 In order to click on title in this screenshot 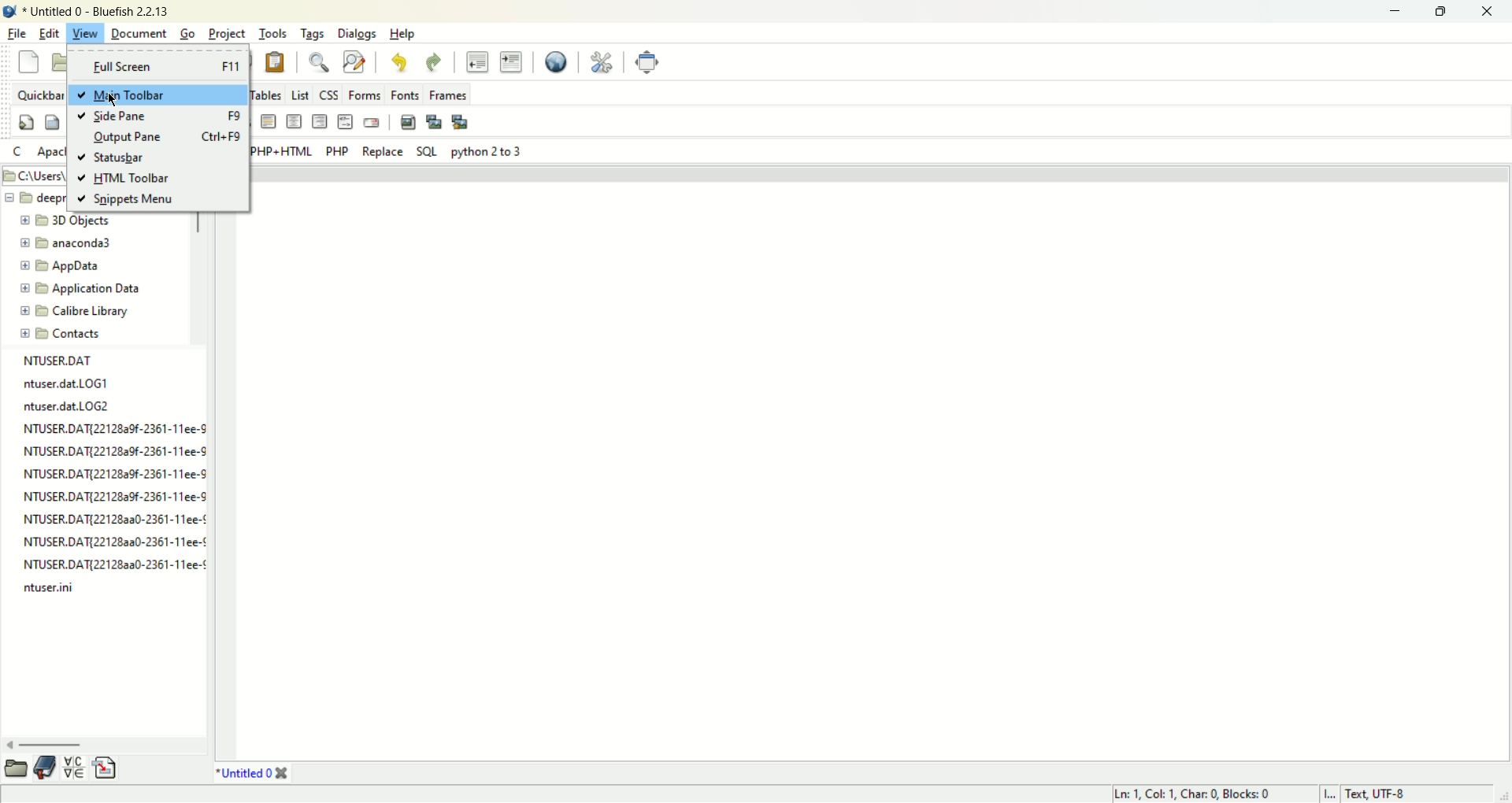, I will do `click(253, 774)`.